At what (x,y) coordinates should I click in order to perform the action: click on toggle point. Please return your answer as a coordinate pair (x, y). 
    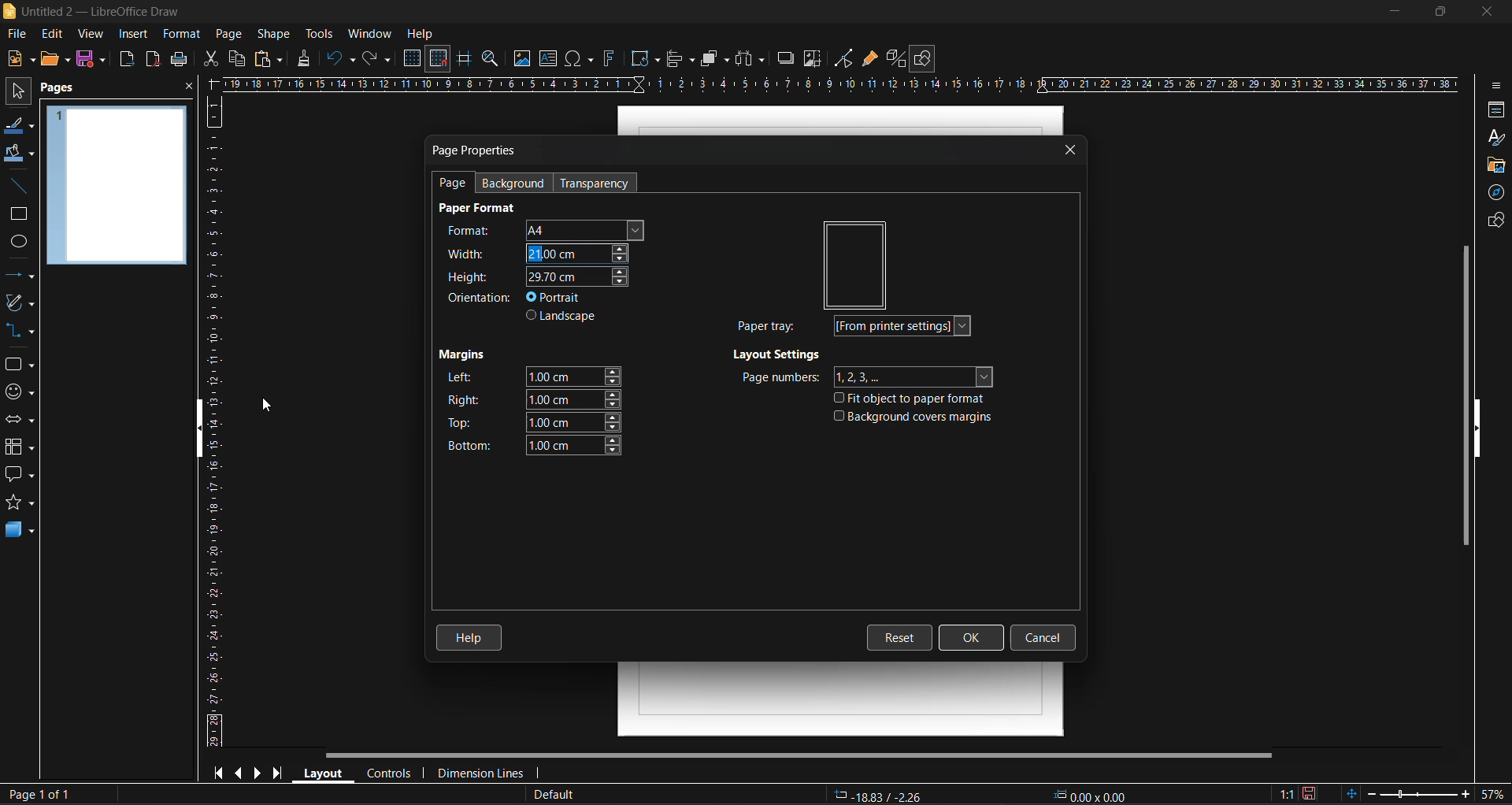
    Looking at the image, I should click on (846, 60).